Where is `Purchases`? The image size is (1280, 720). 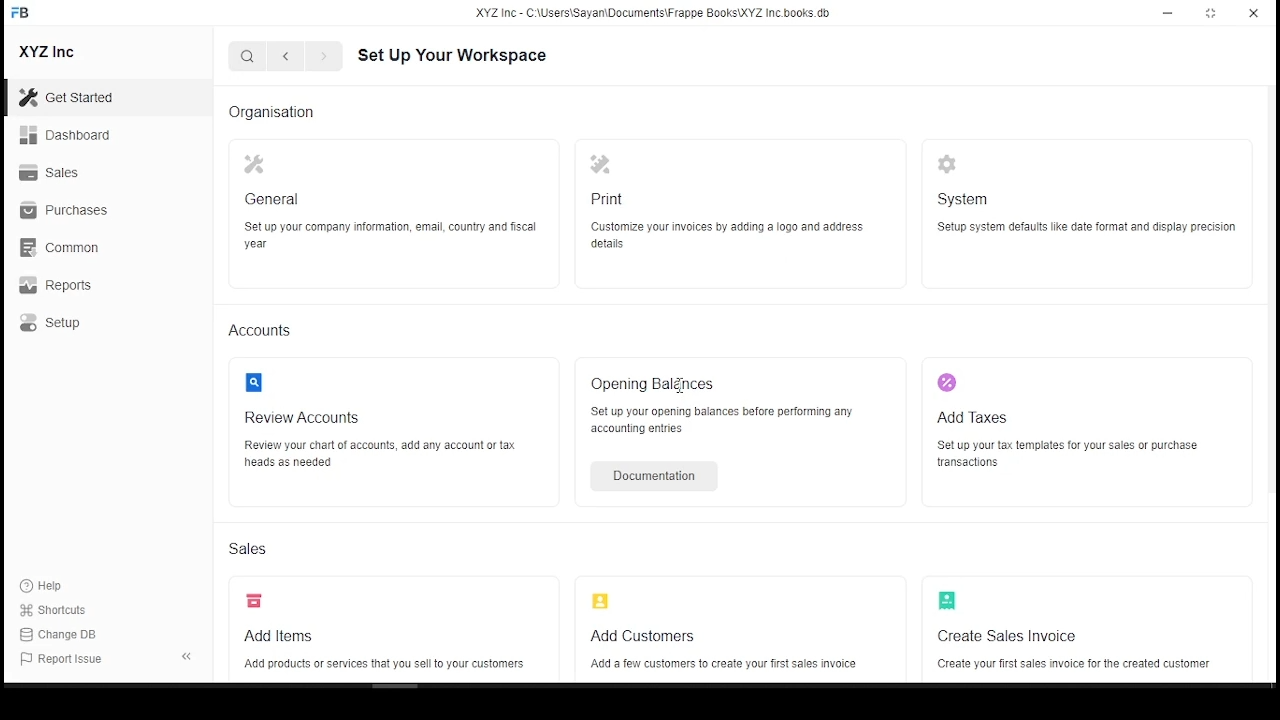 Purchases is located at coordinates (63, 208).